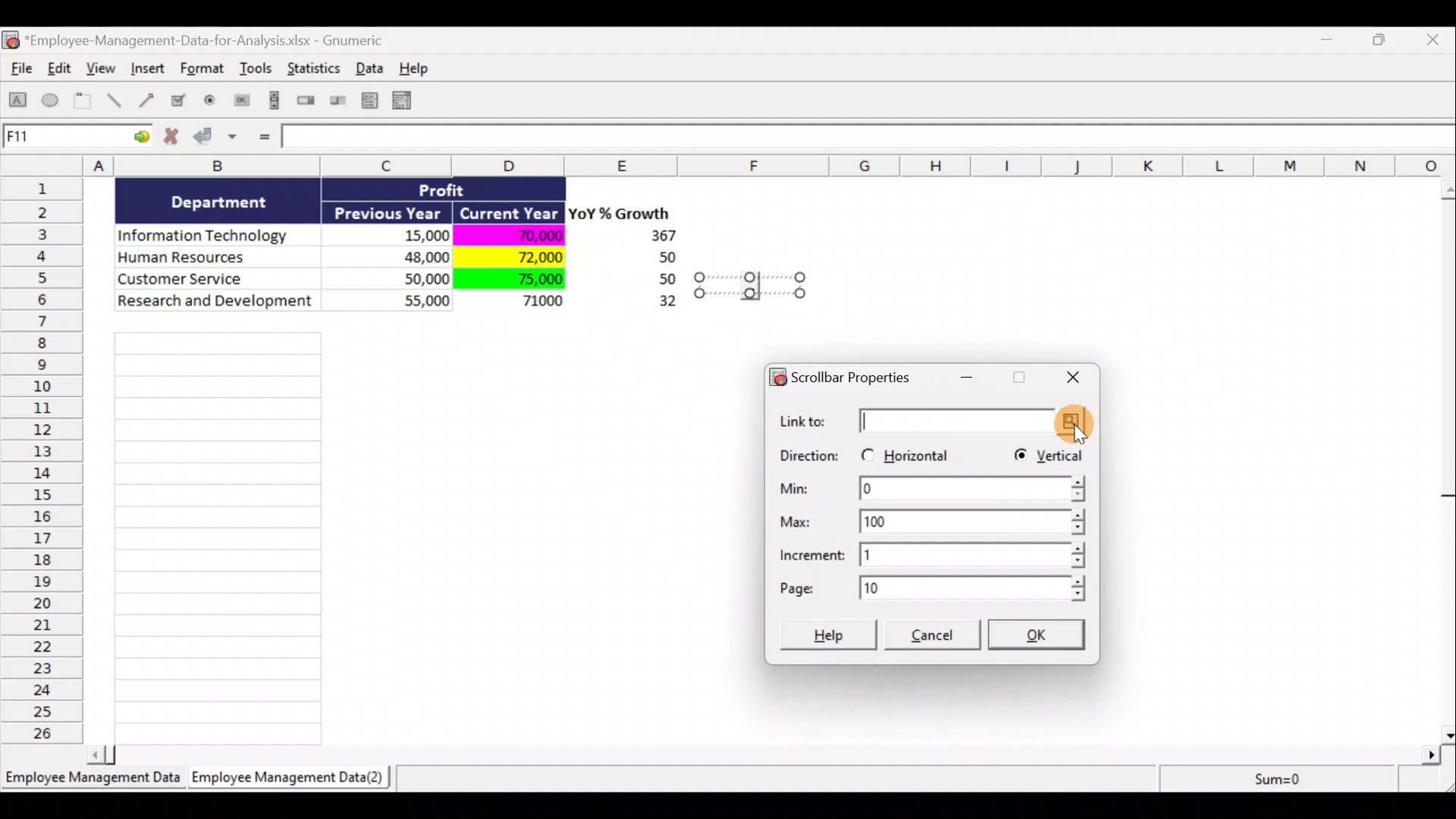  Describe the element at coordinates (147, 71) in the screenshot. I see `Insert` at that location.